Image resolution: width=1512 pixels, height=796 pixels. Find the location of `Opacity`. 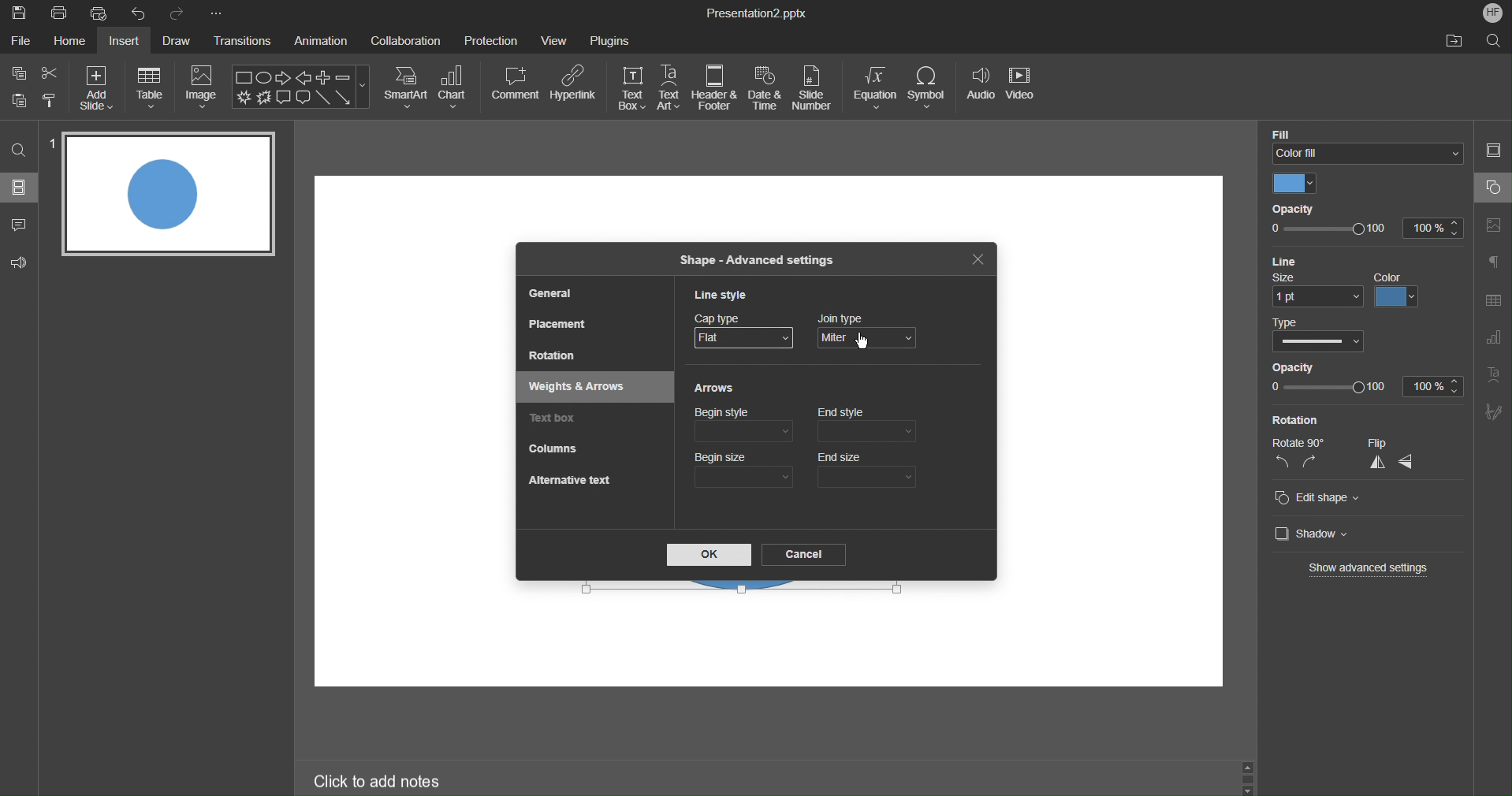

Opacity is located at coordinates (1298, 366).